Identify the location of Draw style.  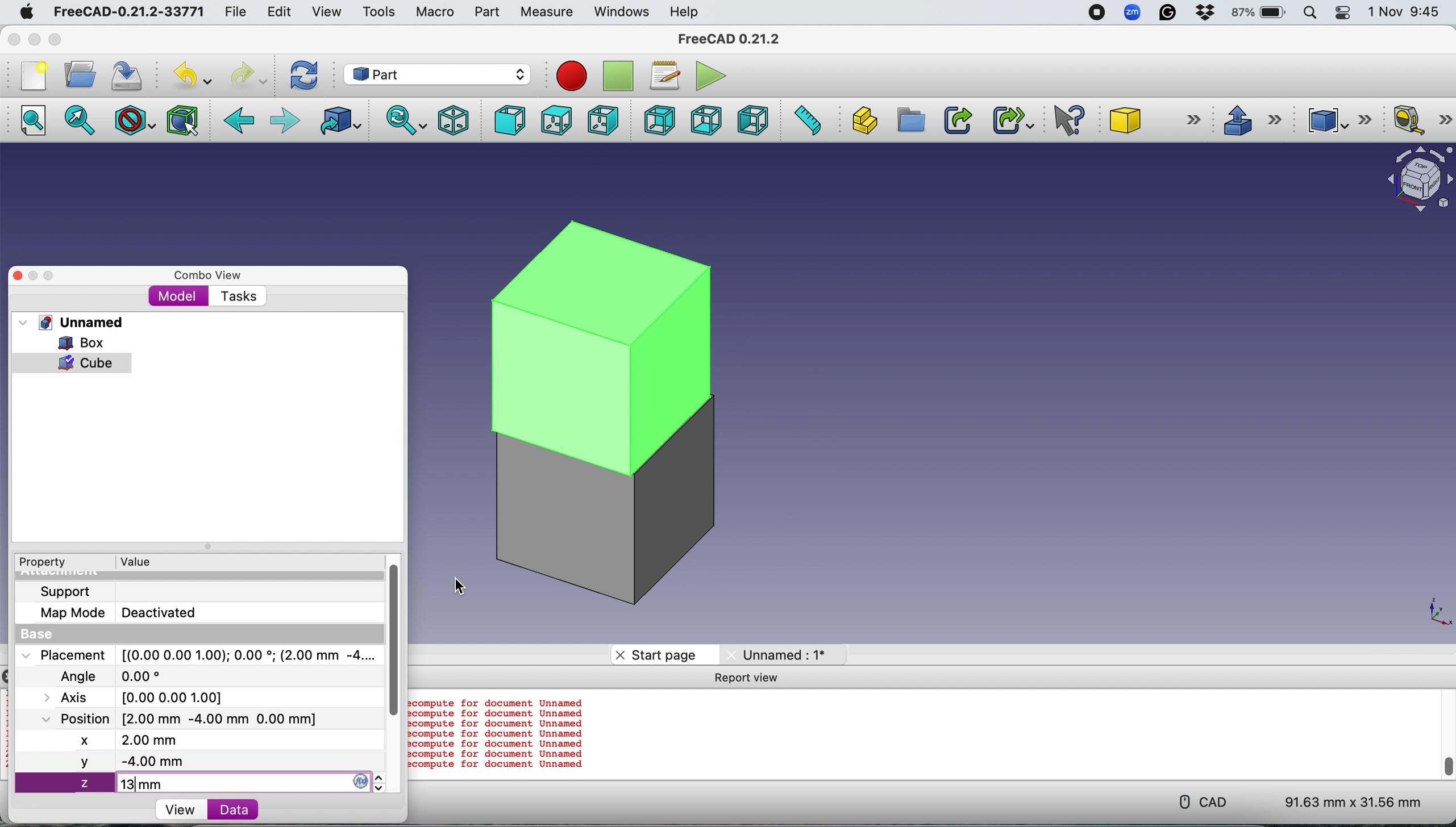
(136, 120).